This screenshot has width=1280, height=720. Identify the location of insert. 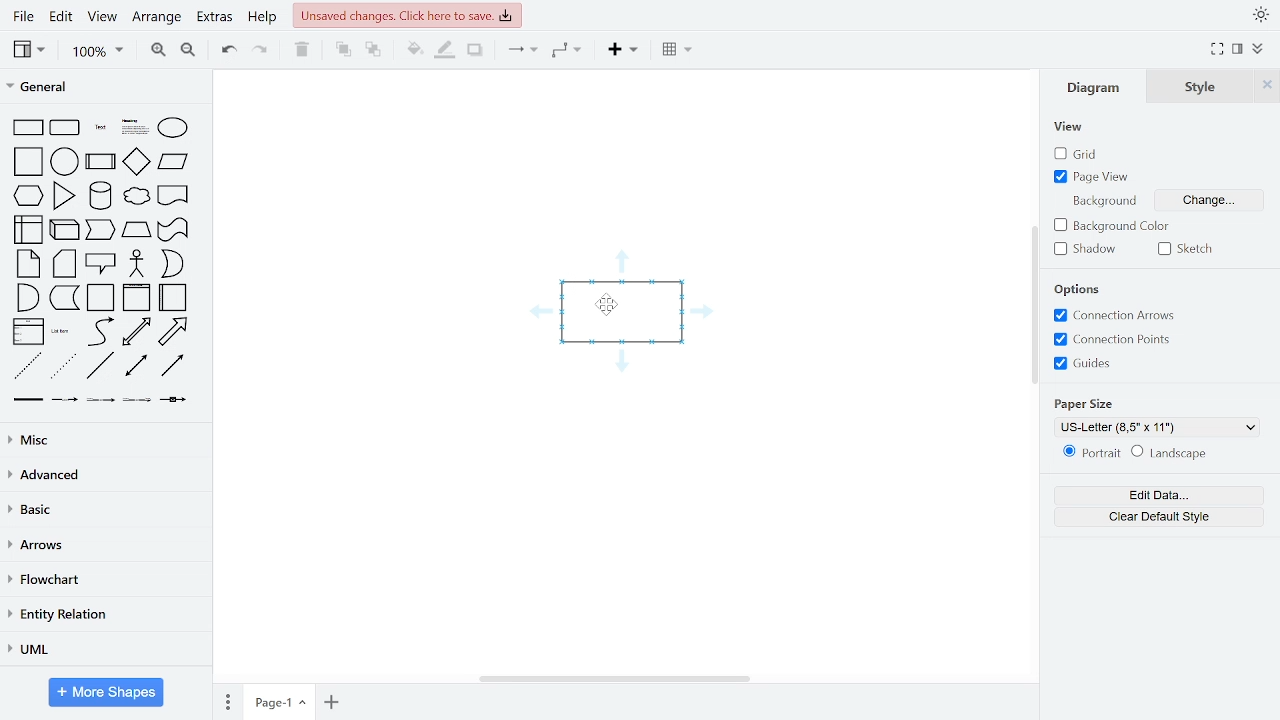
(678, 51).